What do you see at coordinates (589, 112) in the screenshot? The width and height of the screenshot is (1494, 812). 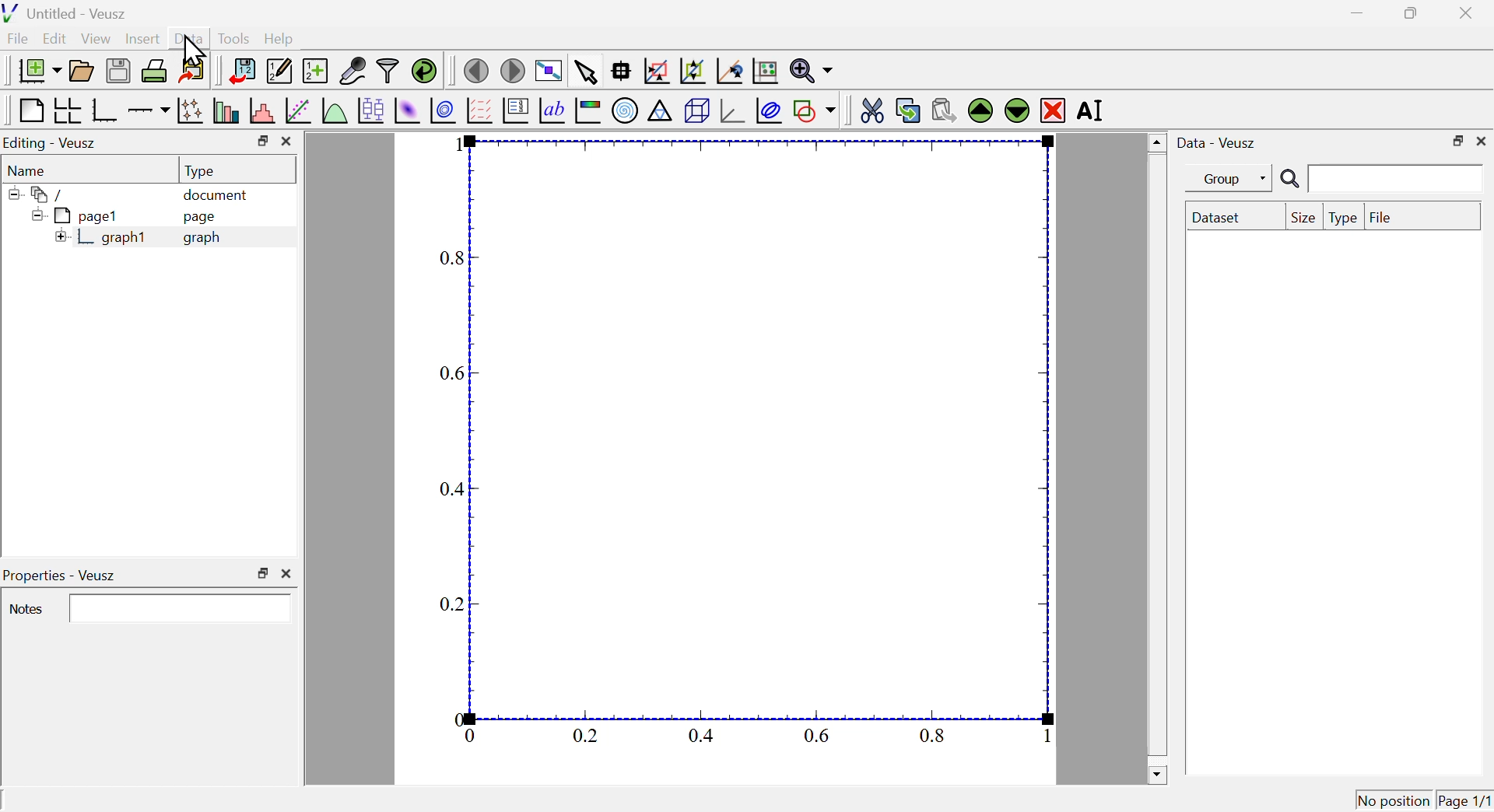 I see `image color bar` at bounding box center [589, 112].